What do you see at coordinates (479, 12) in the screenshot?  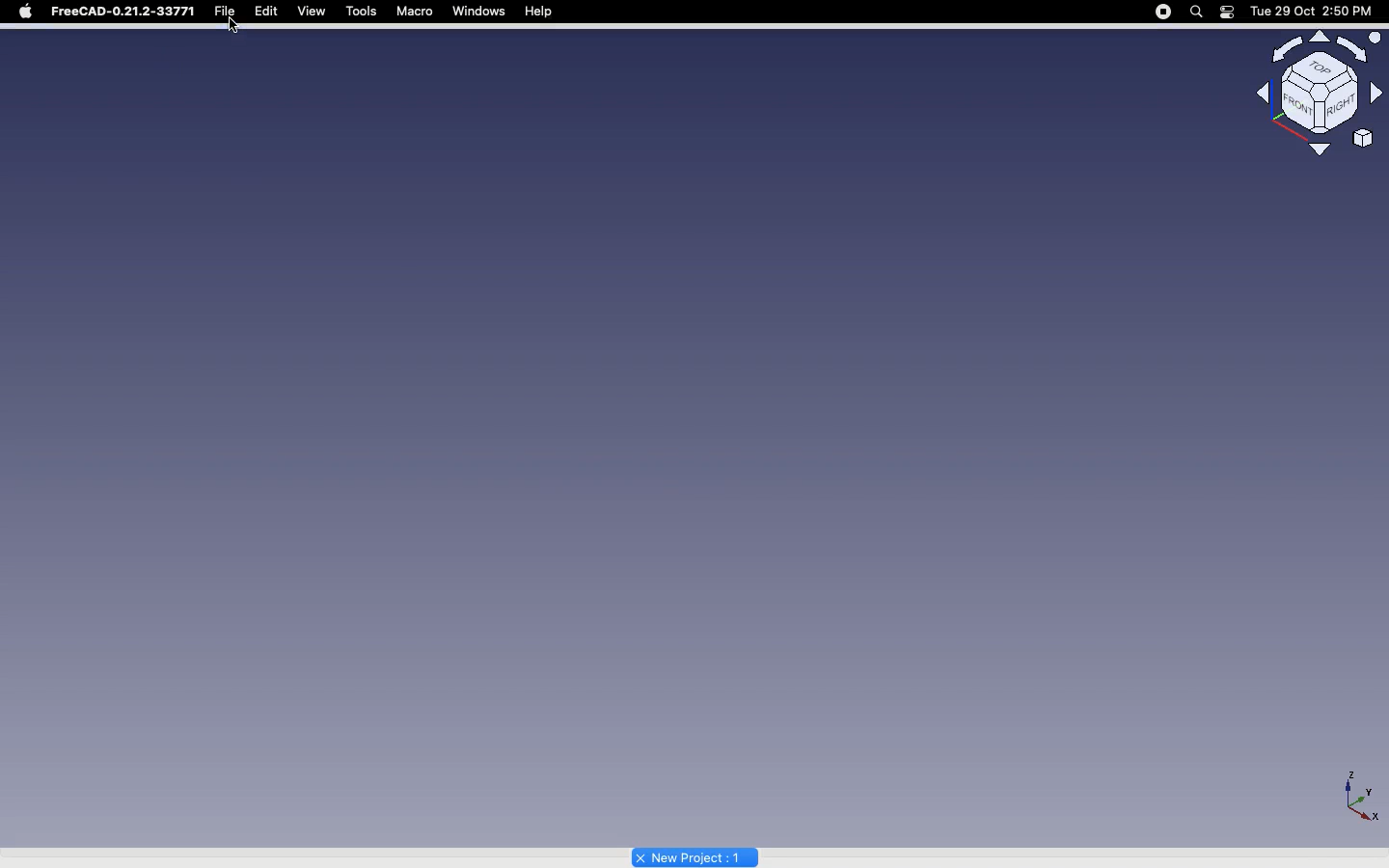 I see `Windows` at bounding box center [479, 12].